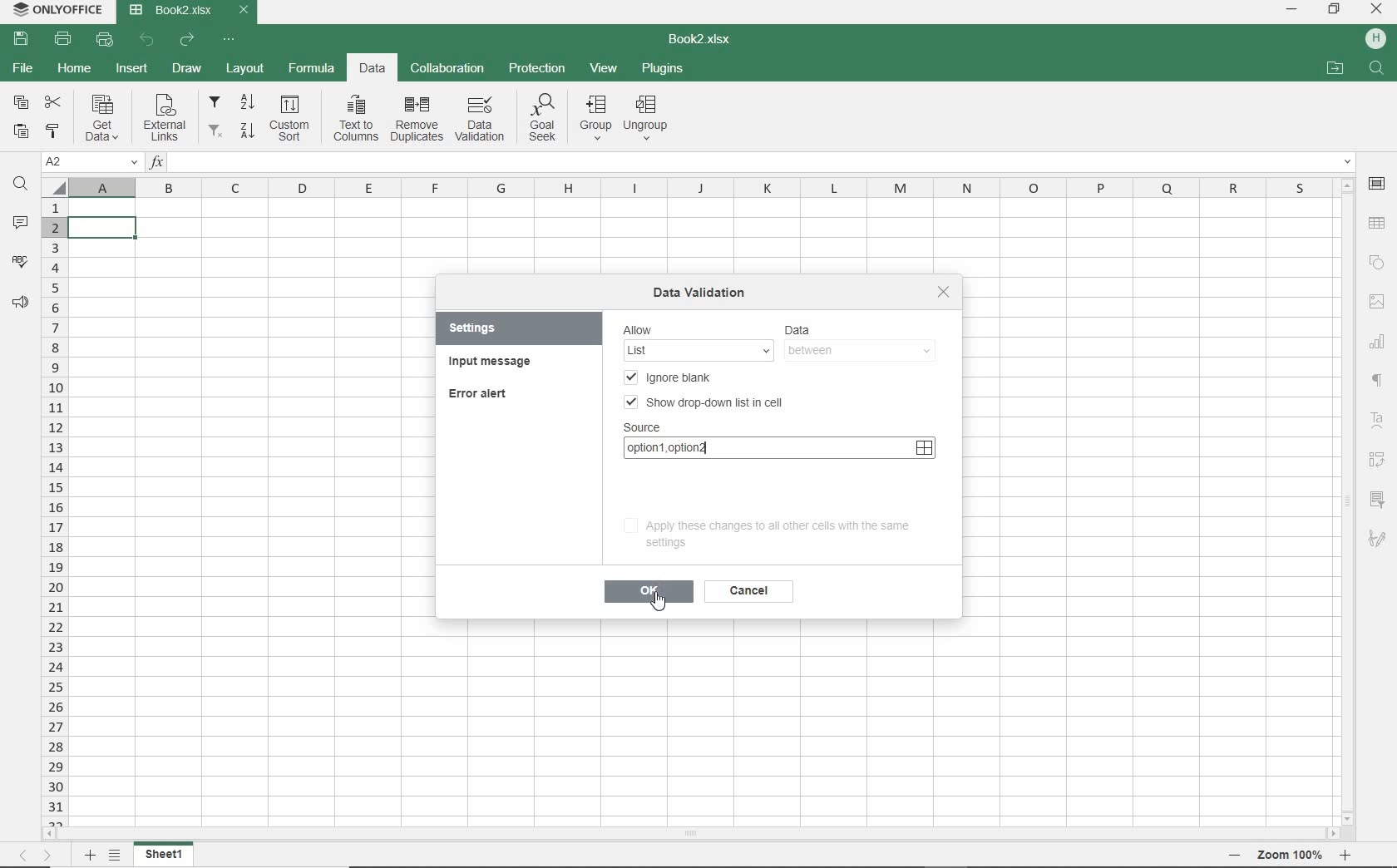 The height and width of the screenshot is (868, 1397). Describe the element at coordinates (491, 362) in the screenshot. I see `input message` at that location.